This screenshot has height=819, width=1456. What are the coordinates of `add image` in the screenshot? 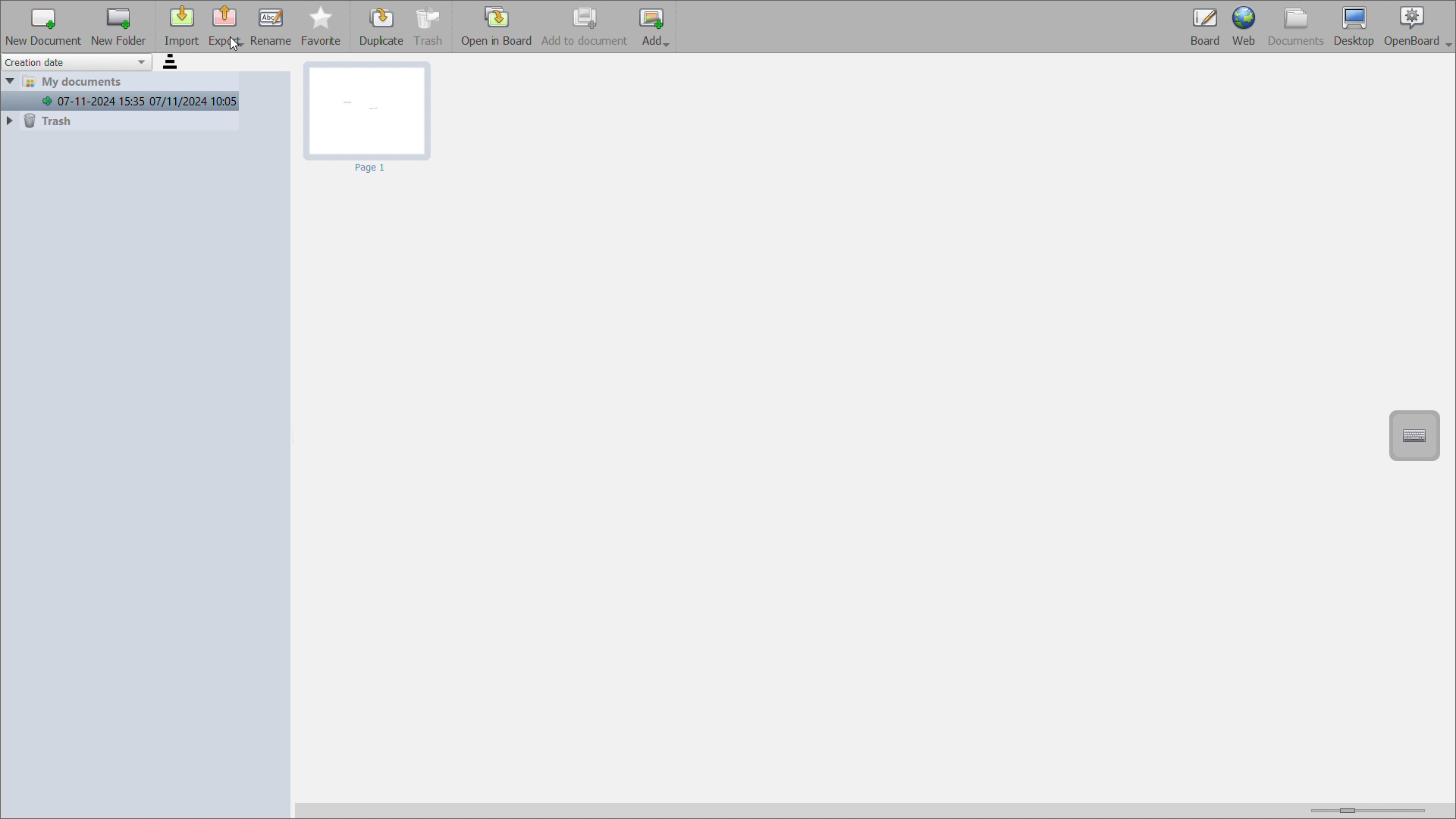 It's located at (654, 27).